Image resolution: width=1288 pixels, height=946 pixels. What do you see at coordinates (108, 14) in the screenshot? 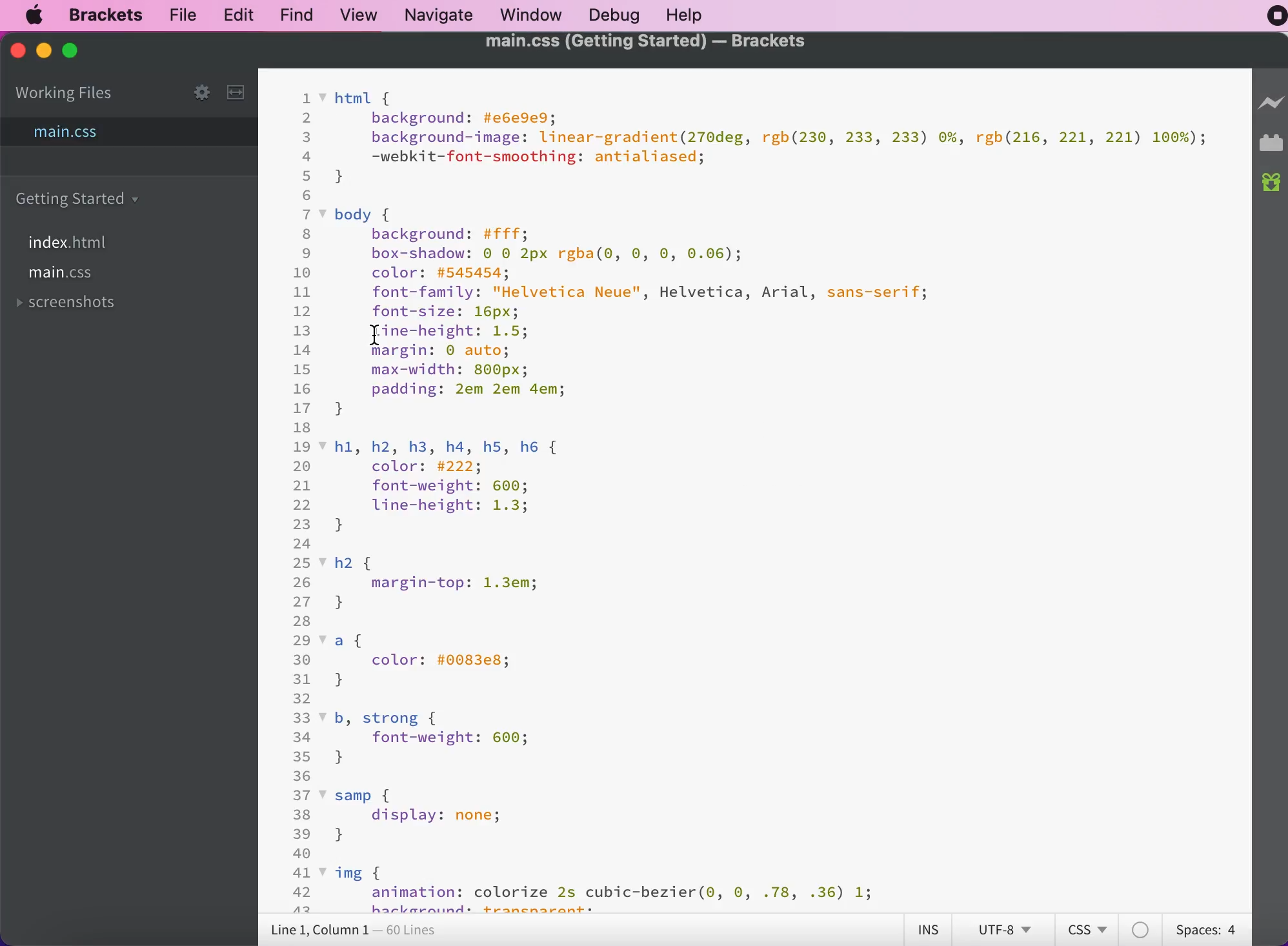
I see `brackets` at bounding box center [108, 14].